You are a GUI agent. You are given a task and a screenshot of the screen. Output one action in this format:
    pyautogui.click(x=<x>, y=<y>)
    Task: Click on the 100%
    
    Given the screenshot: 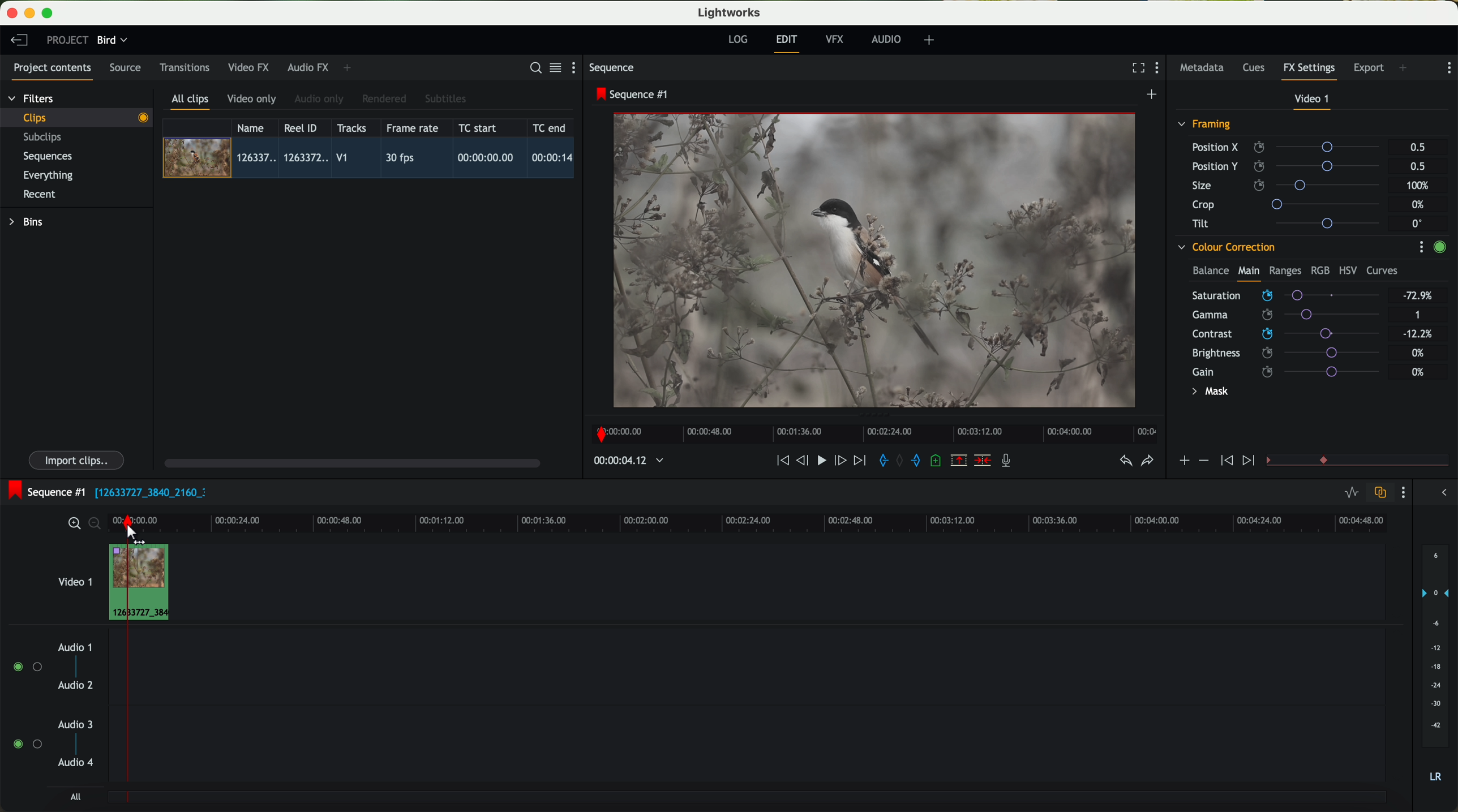 What is the action you would take?
    pyautogui.click(x=1421, y=186)
    